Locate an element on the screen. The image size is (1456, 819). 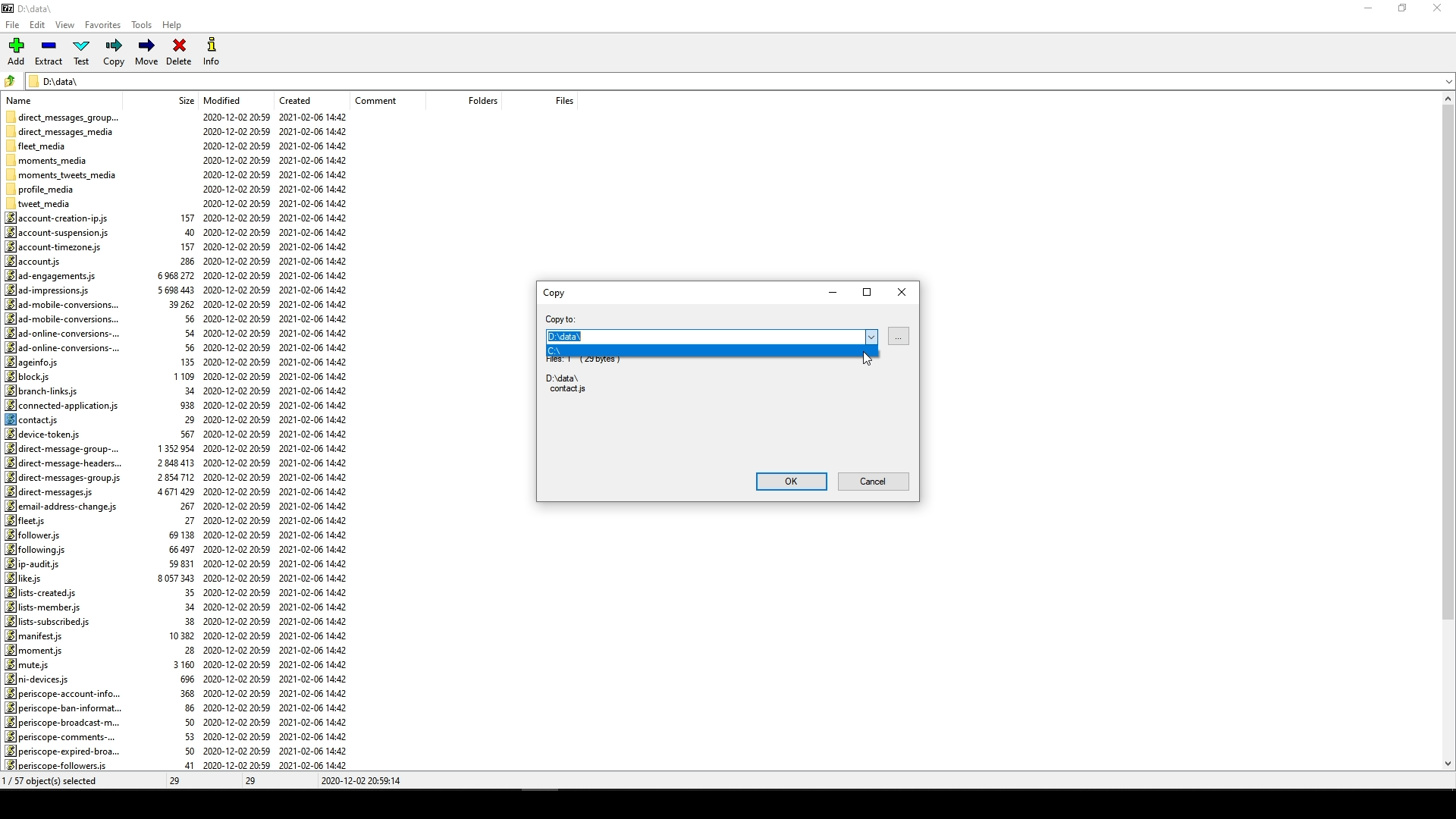
moments_media is located at coordinates (52, 158).